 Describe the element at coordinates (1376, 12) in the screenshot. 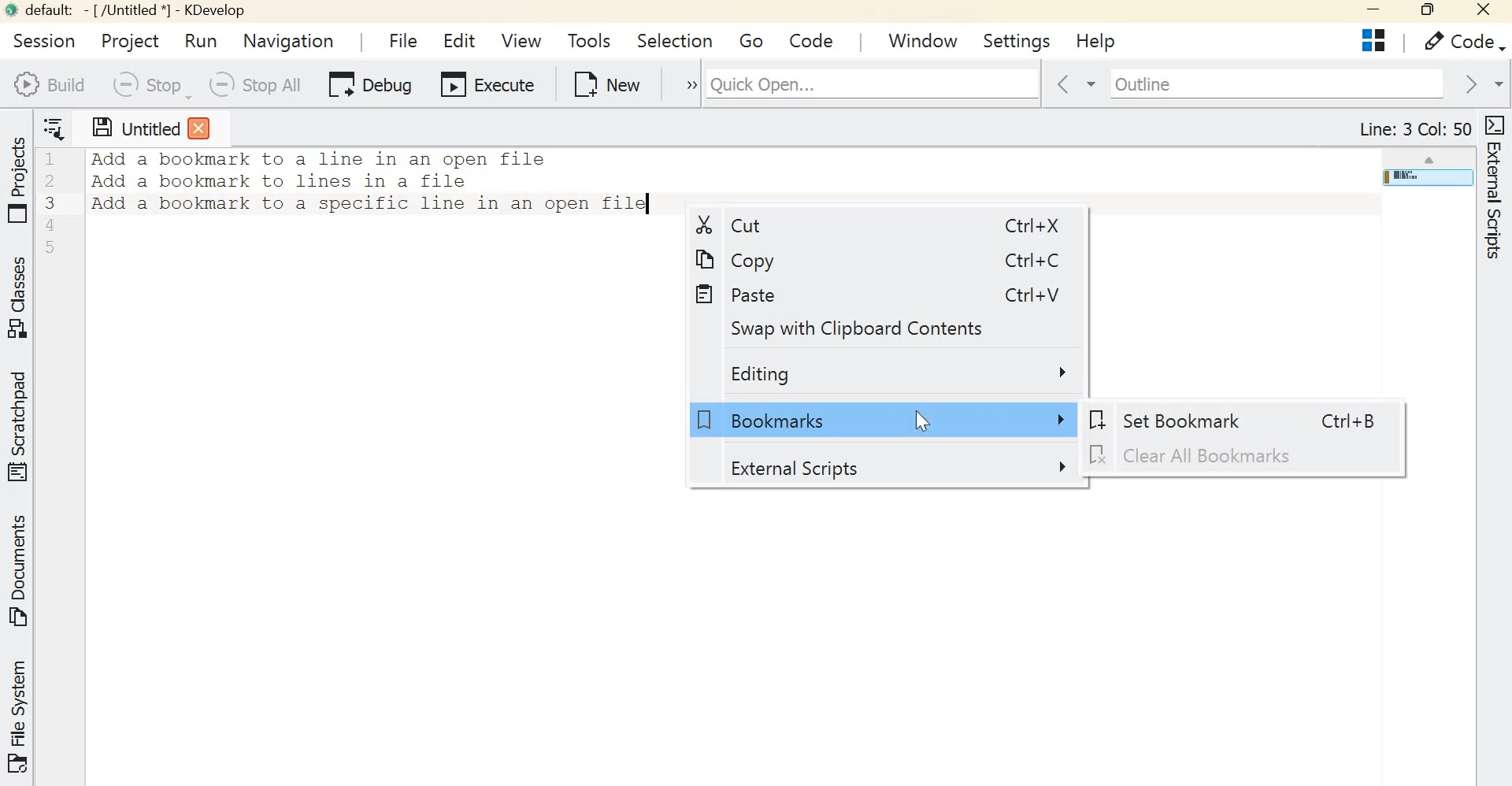

I see `Minimize` at that location.